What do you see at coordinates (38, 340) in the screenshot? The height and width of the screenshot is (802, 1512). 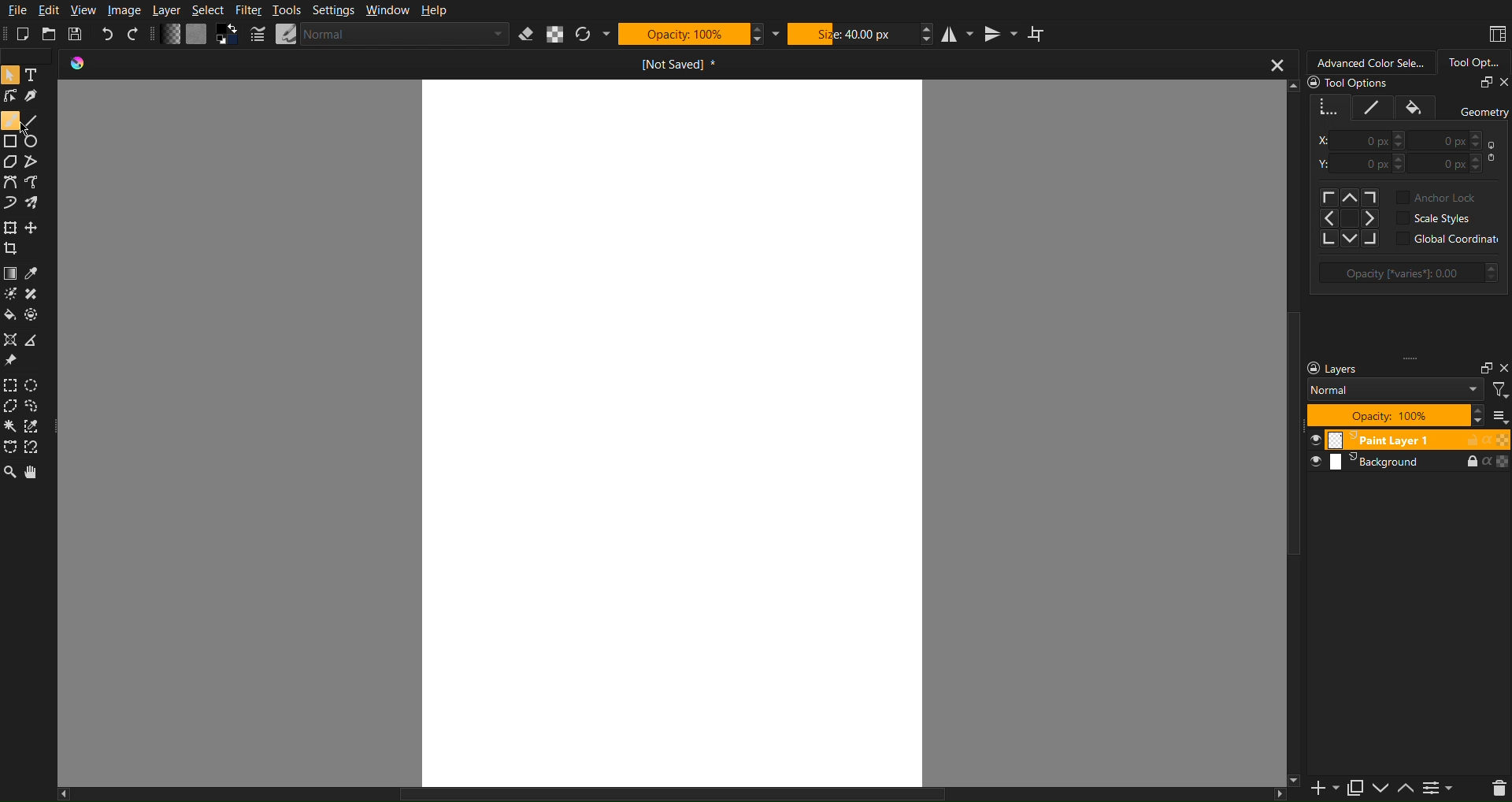 I see `Convert Point` at bounding box center [38, 340].